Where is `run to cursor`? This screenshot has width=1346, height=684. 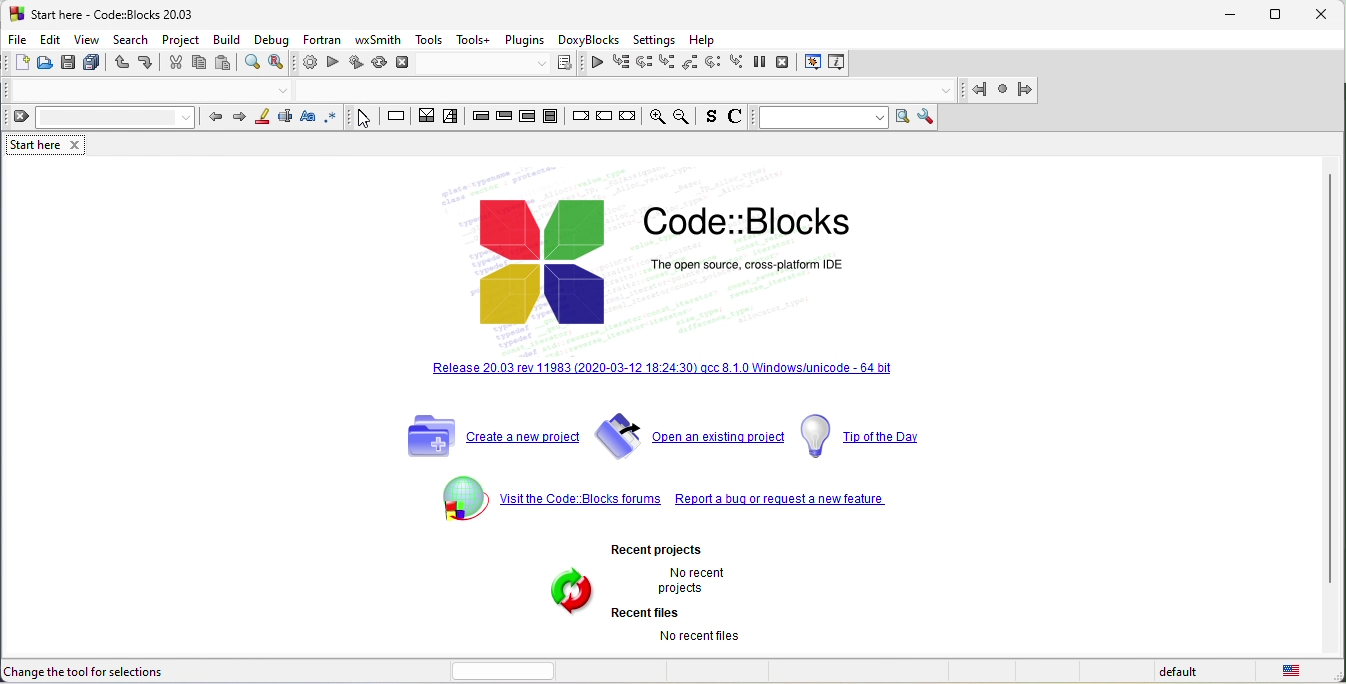
run to cursor is located at coordinates (623, 65).